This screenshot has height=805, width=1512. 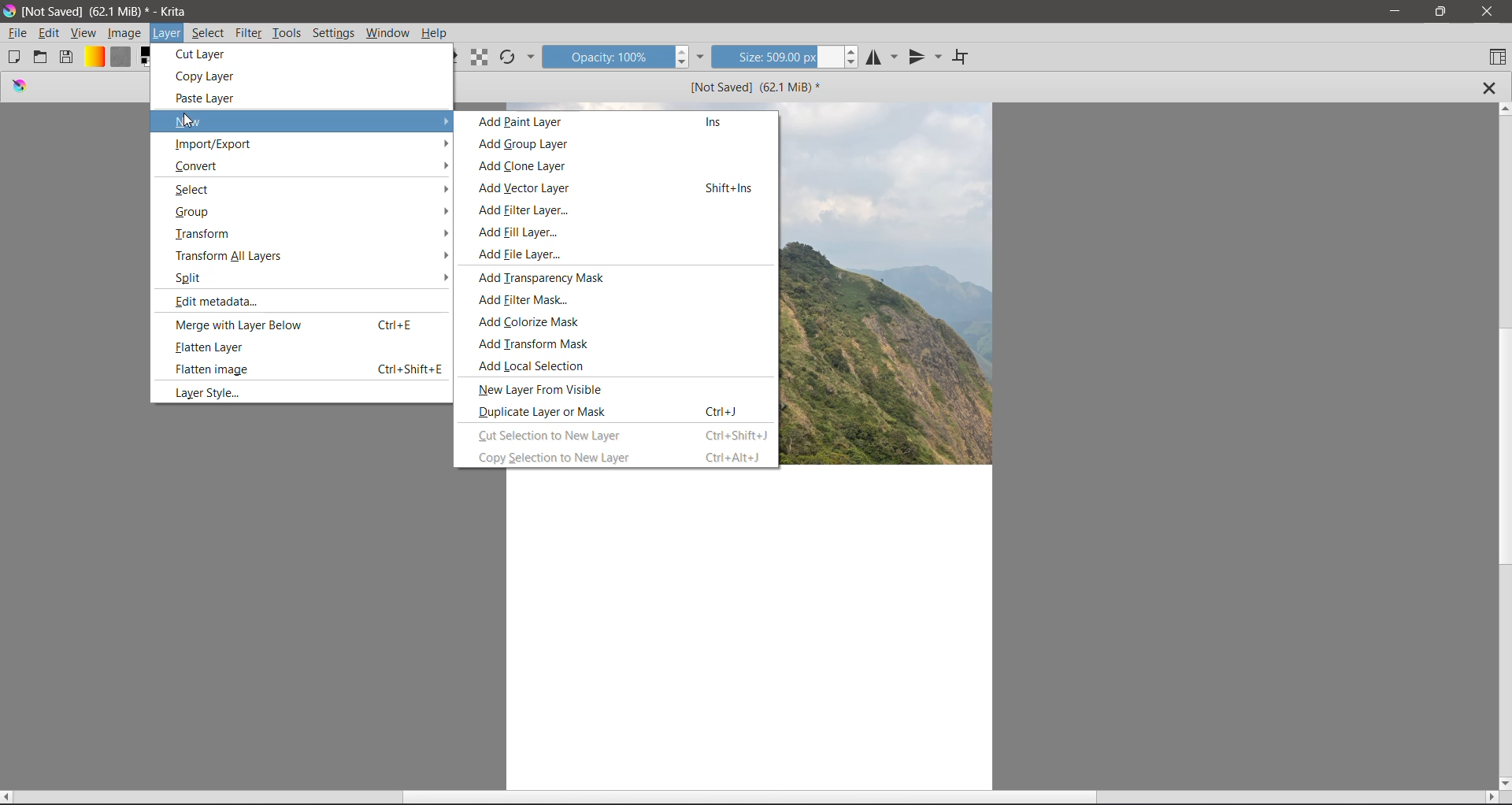 I want to click on Layer, so click(x=169, y=33).